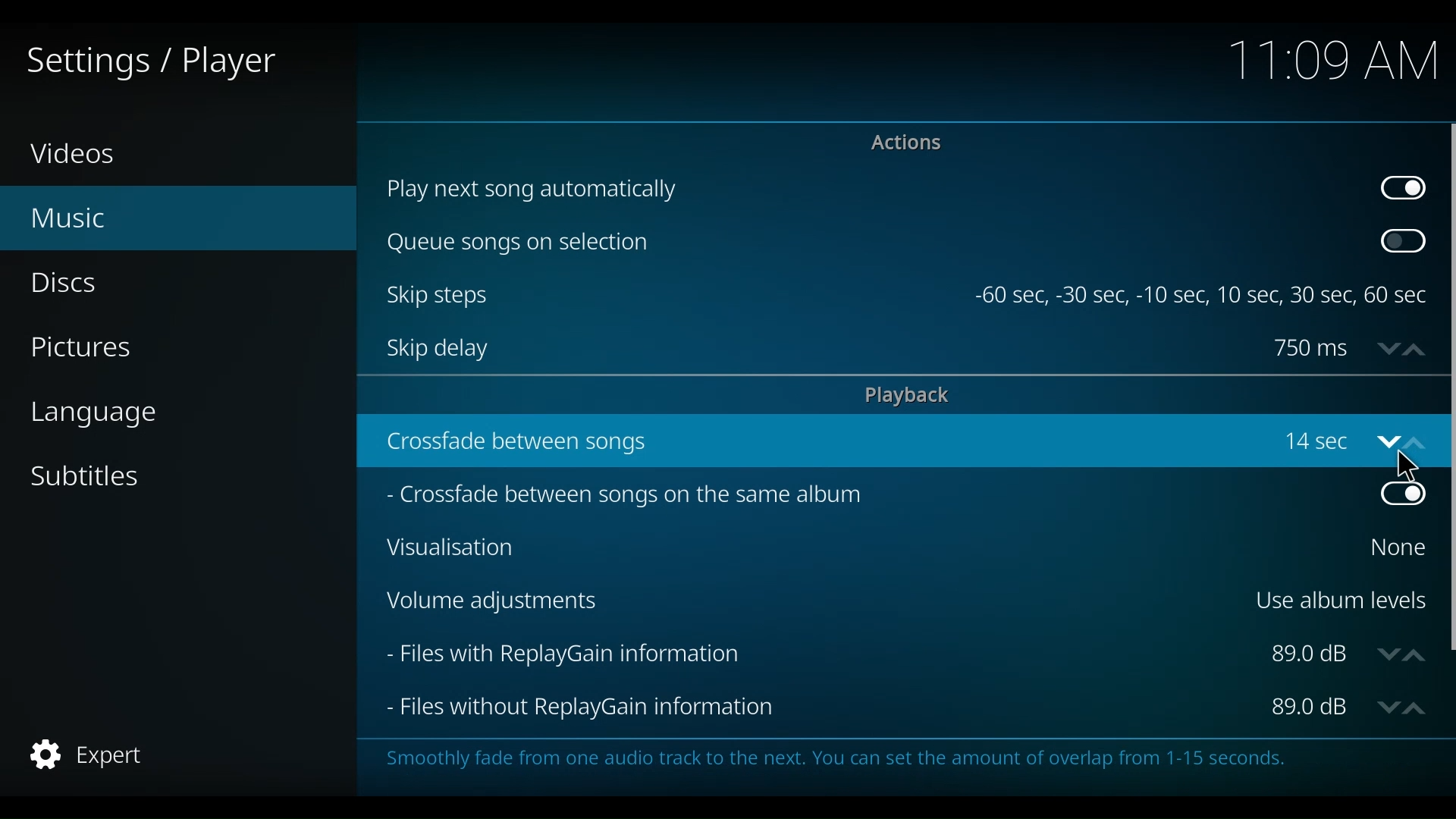 This screenshot has width=1456, height=819. I want to click on Crossfade between songs on the same album, so click(849, 492).